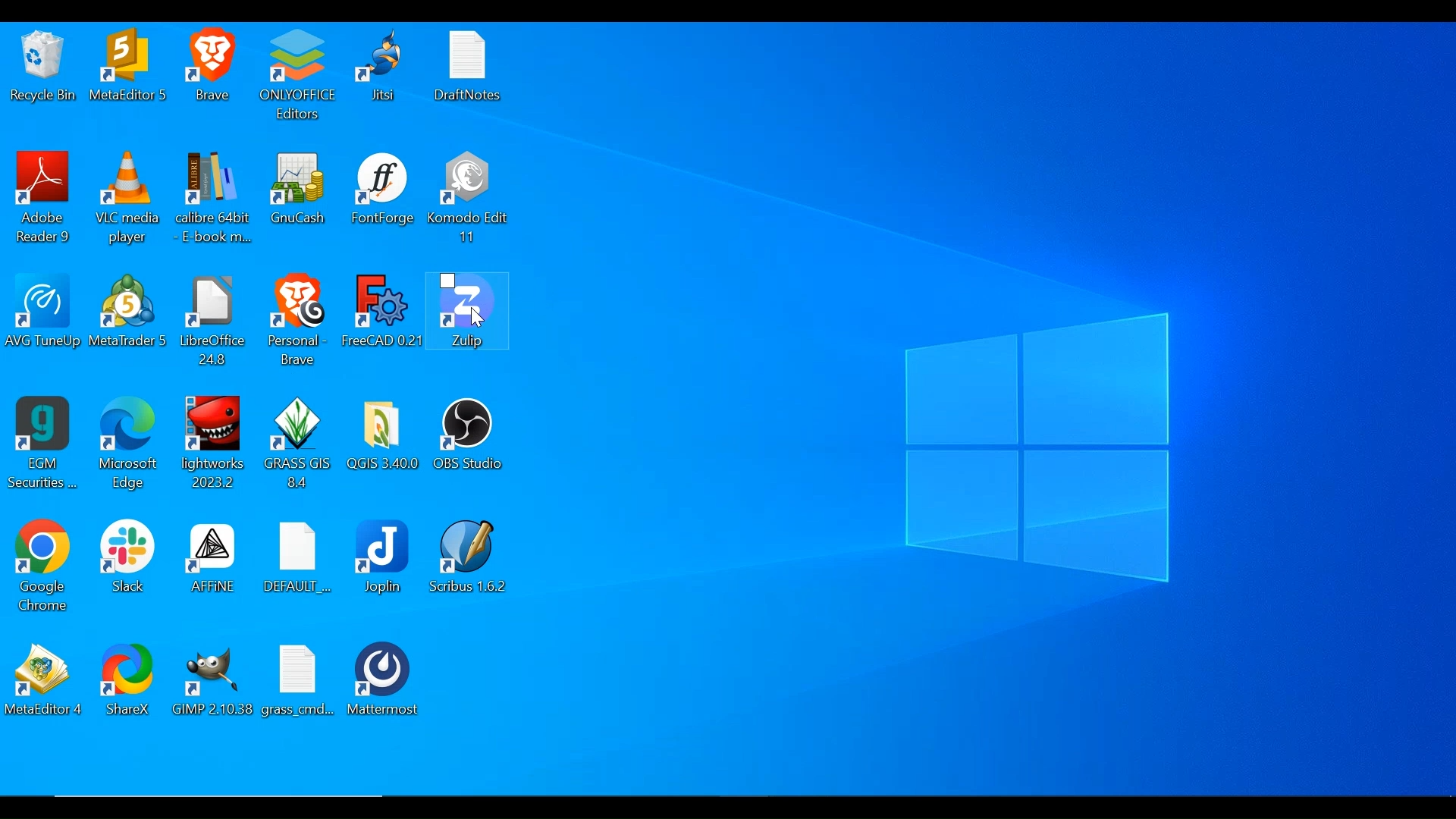 This screenshot has width=1456, height=819. Describe the element at coordinates (133, 312) in the screenshot. I see `Meta Desktop Icon` at that location.